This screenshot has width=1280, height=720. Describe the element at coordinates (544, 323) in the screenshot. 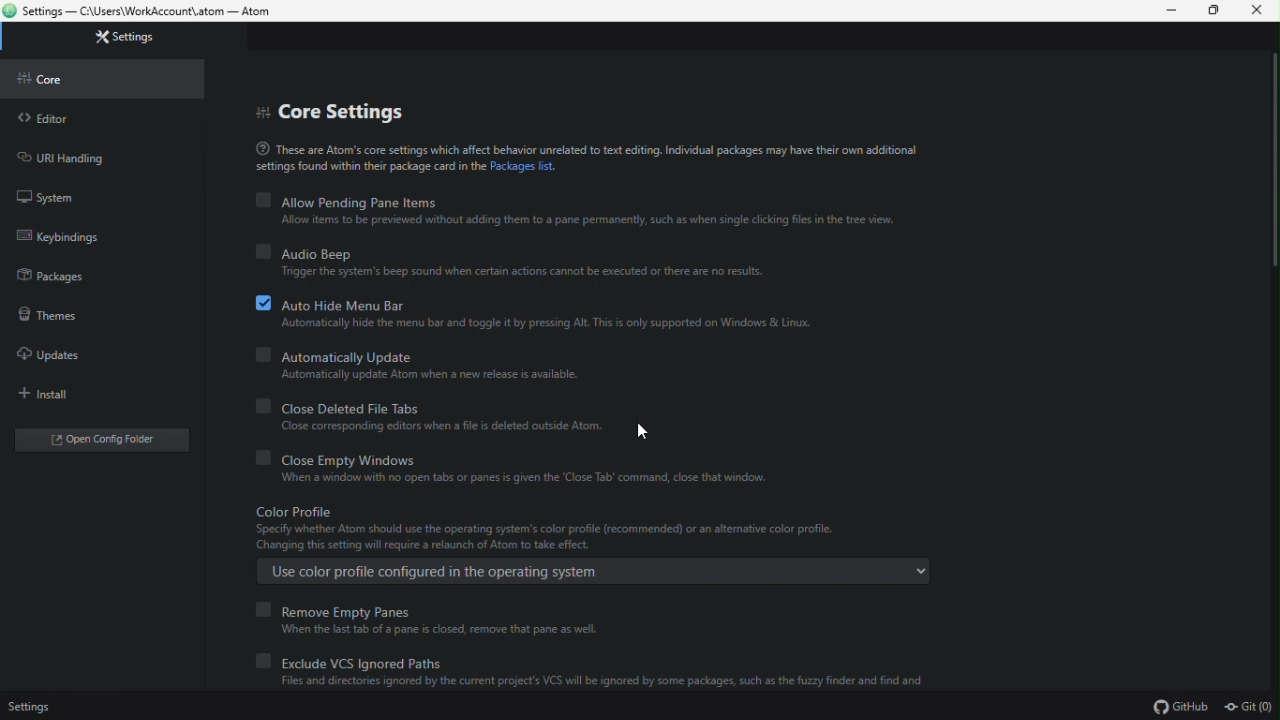

I see `Automatically hide the menu bar and toggle it by pressing Alt. This is only supported on Windows & Linux.` at that location.